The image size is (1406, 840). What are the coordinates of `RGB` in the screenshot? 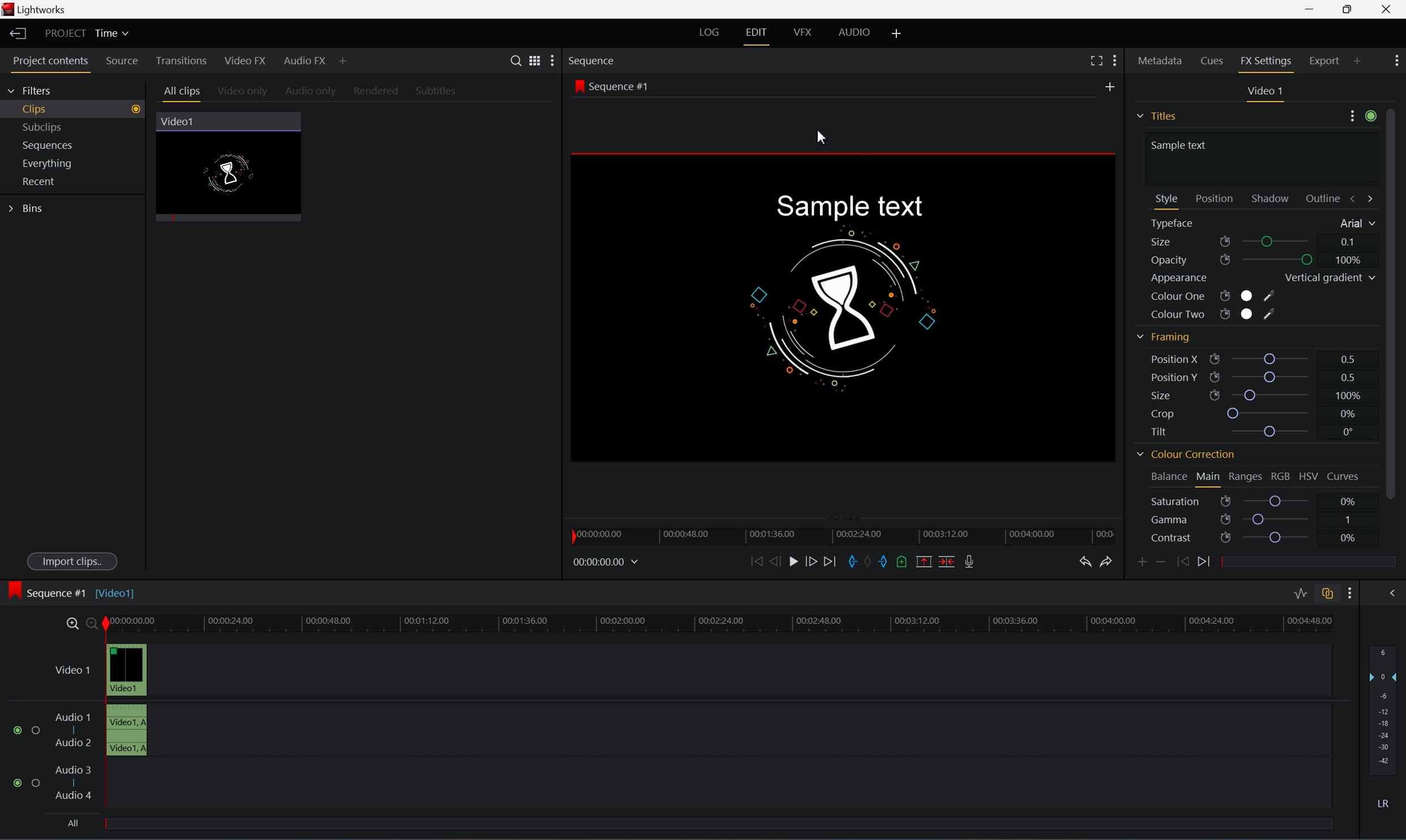 It's located at (1280, 476).